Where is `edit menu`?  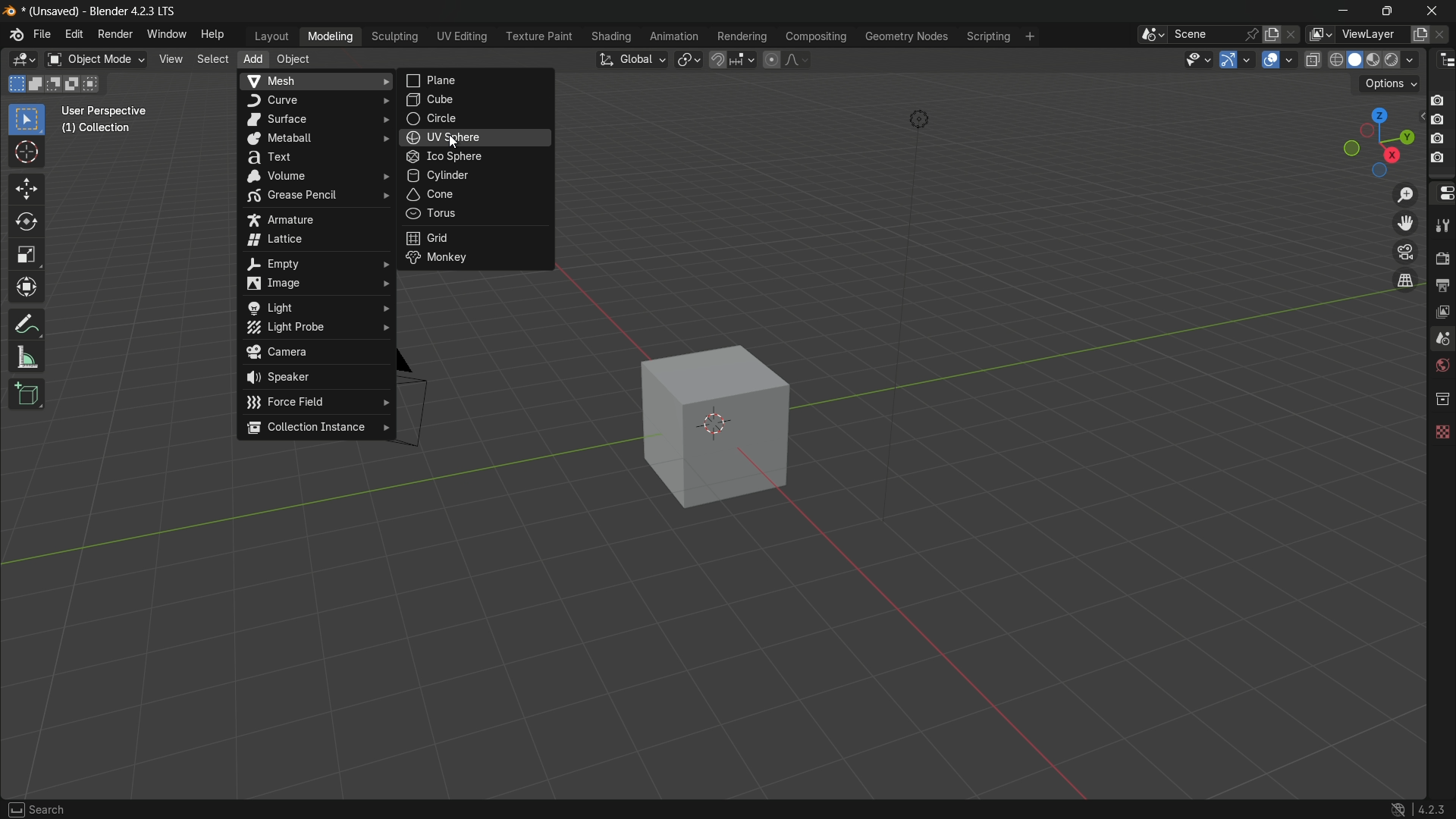 edit menu is located at coordinates (76, 34).